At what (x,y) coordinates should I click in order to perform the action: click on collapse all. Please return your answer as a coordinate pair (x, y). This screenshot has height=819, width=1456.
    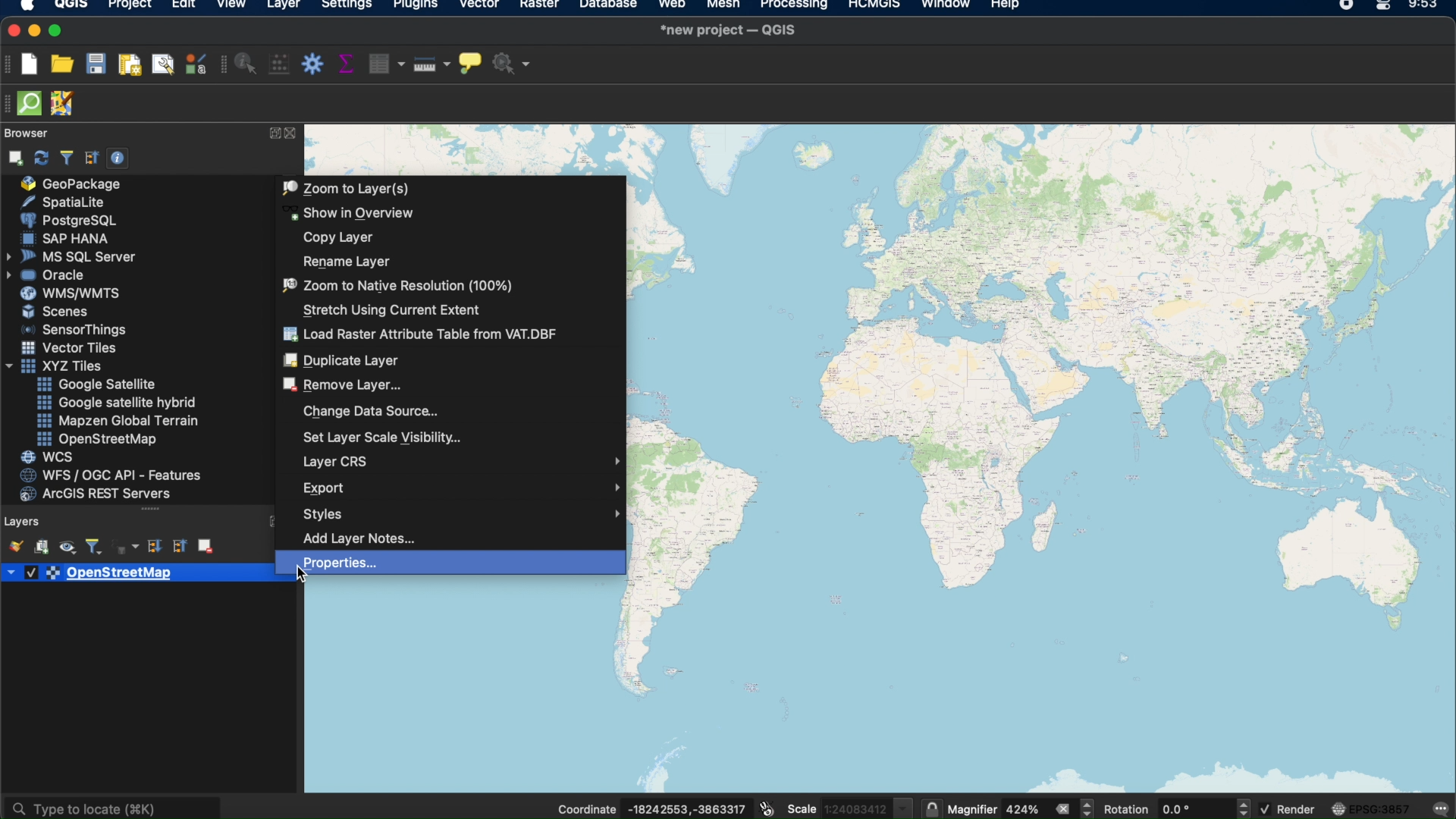
    Looking at the image, I should click on (92, 158).